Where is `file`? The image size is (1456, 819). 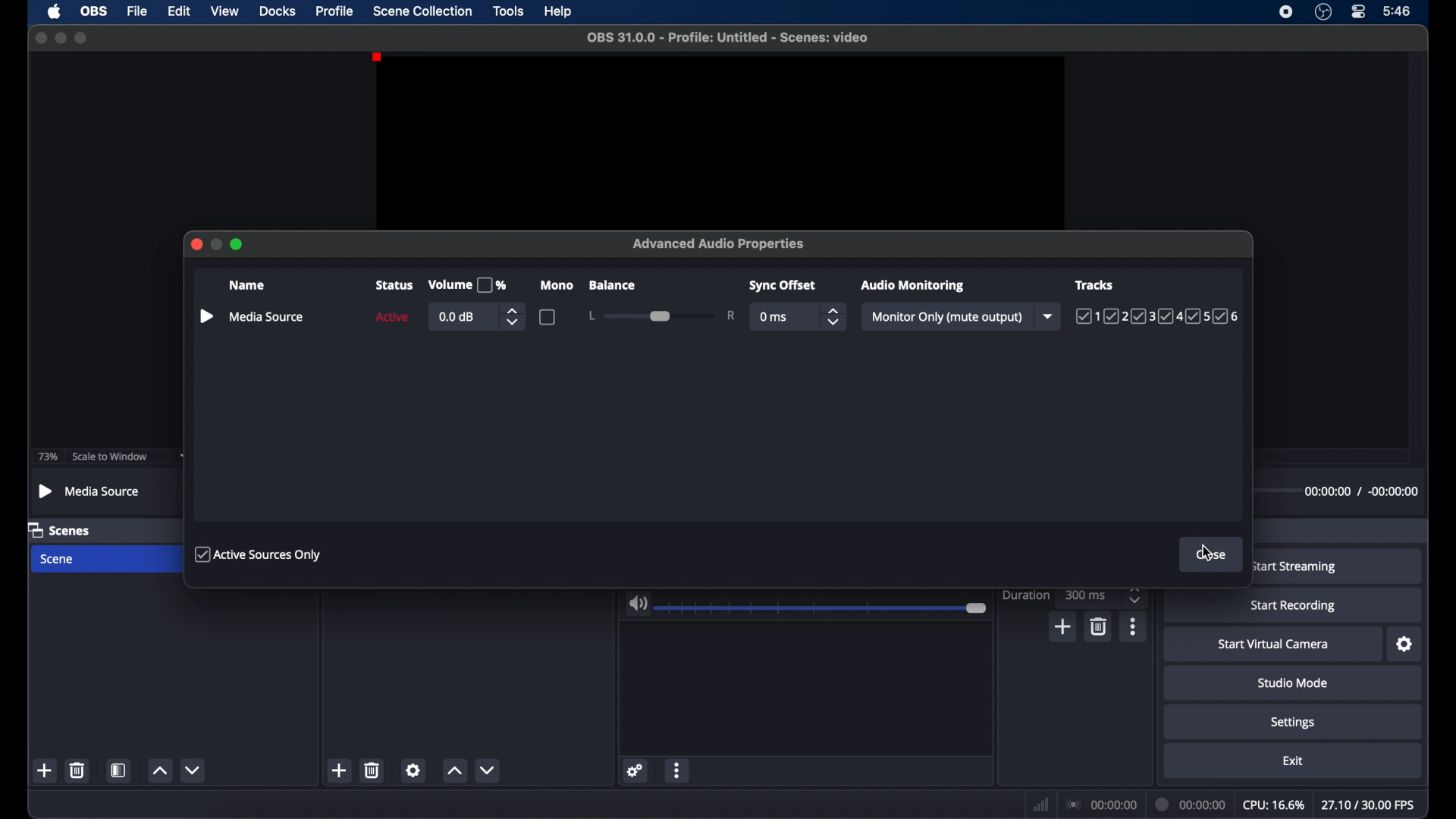
file is located at coordinates (136, 11).